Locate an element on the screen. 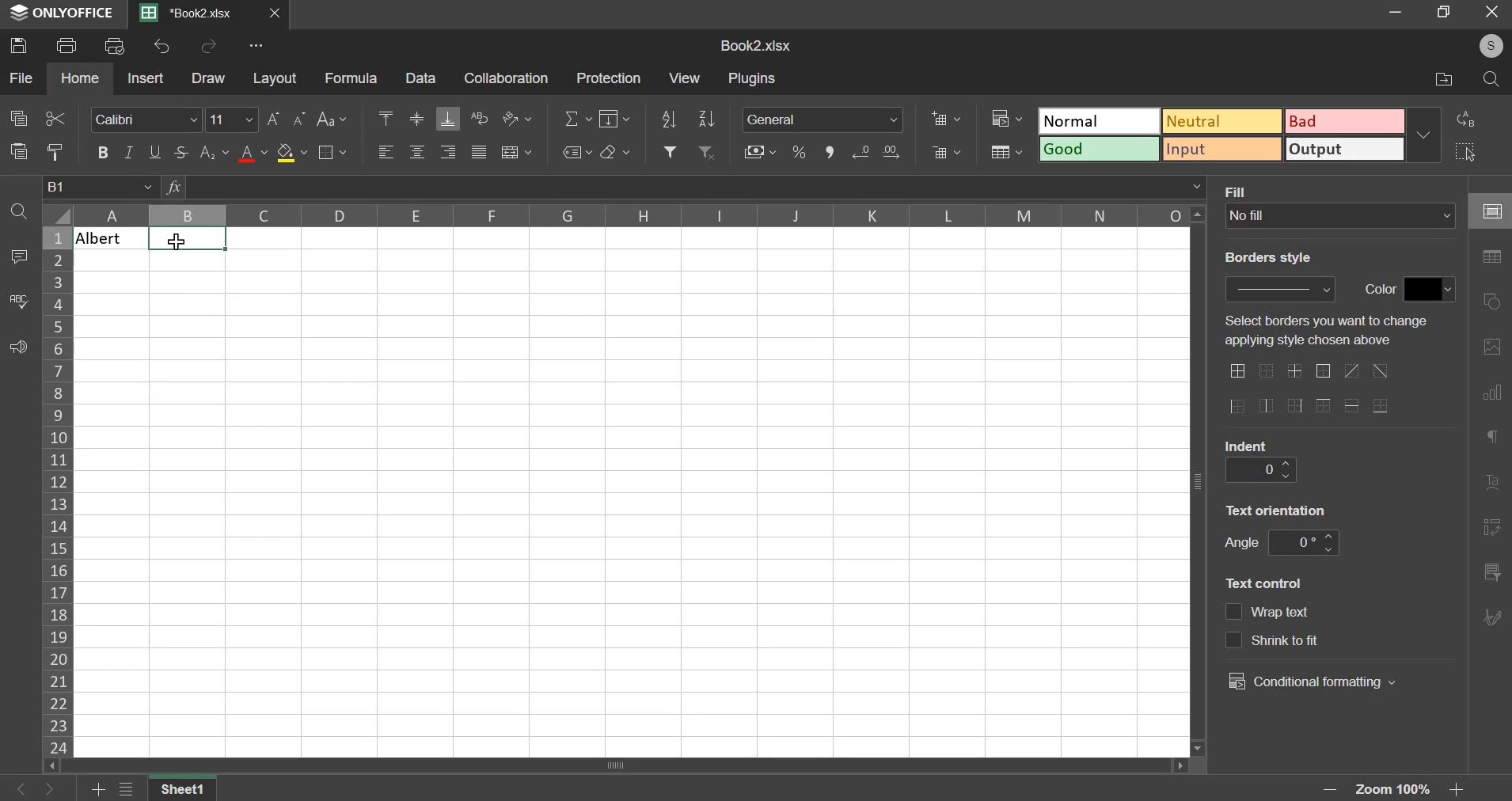 This screenshot has width=1512, height=801. spelling is located at coordinates (18, 300).